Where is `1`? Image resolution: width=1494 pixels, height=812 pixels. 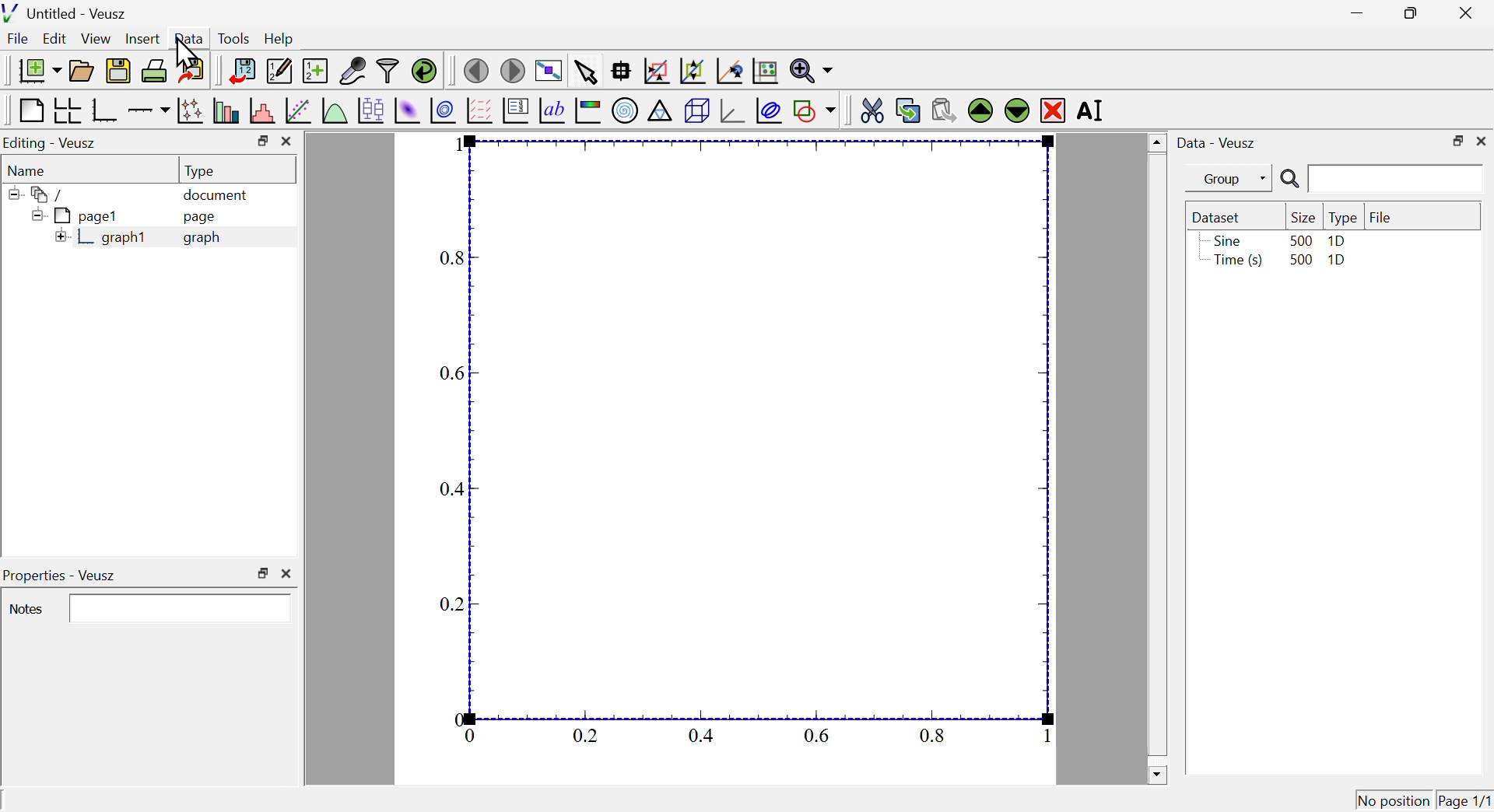
1 is located at coordinates (1039, 736).